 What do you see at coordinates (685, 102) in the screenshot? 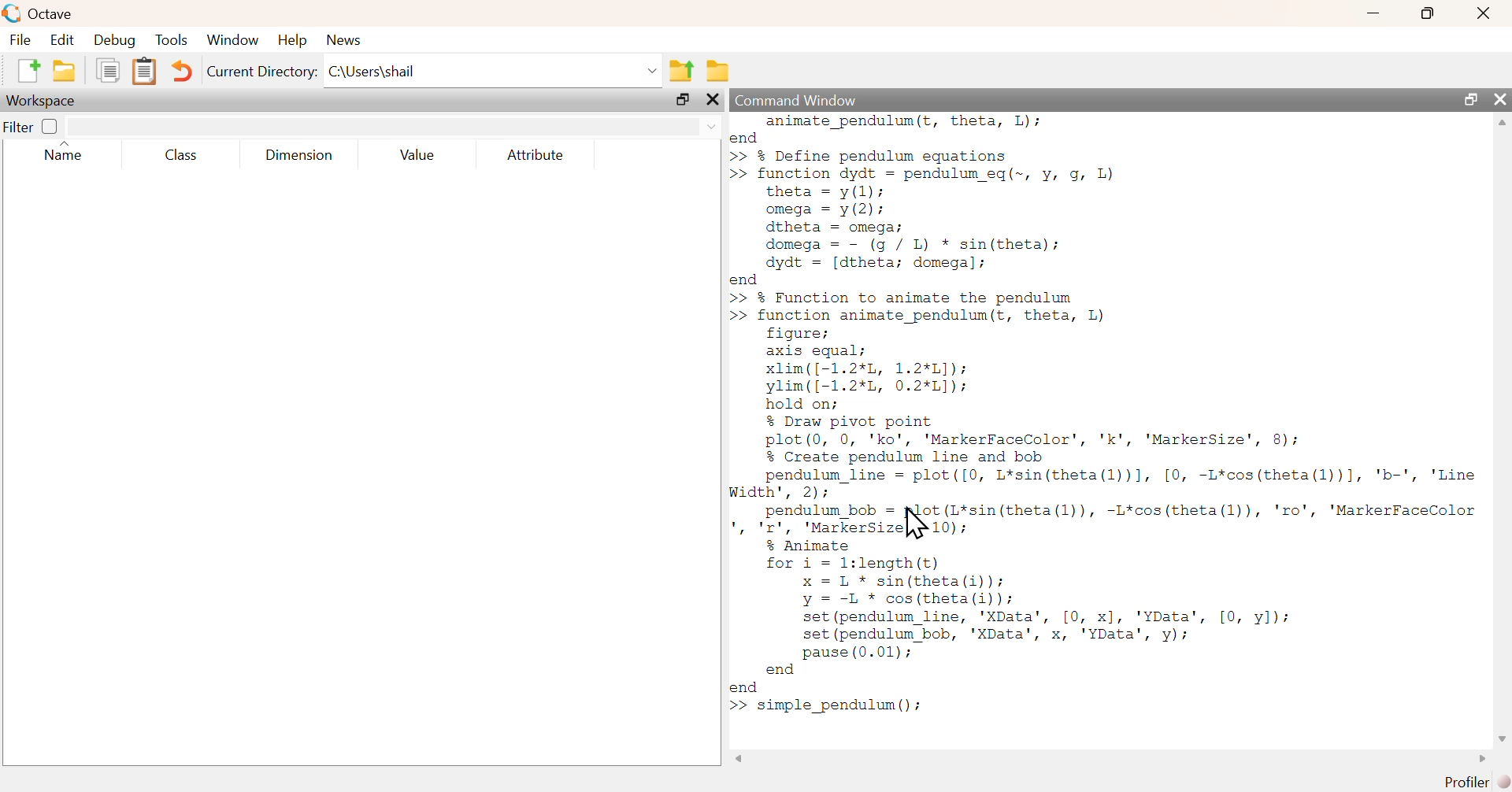
I see `Maximize` at bounding box center [685, 102].